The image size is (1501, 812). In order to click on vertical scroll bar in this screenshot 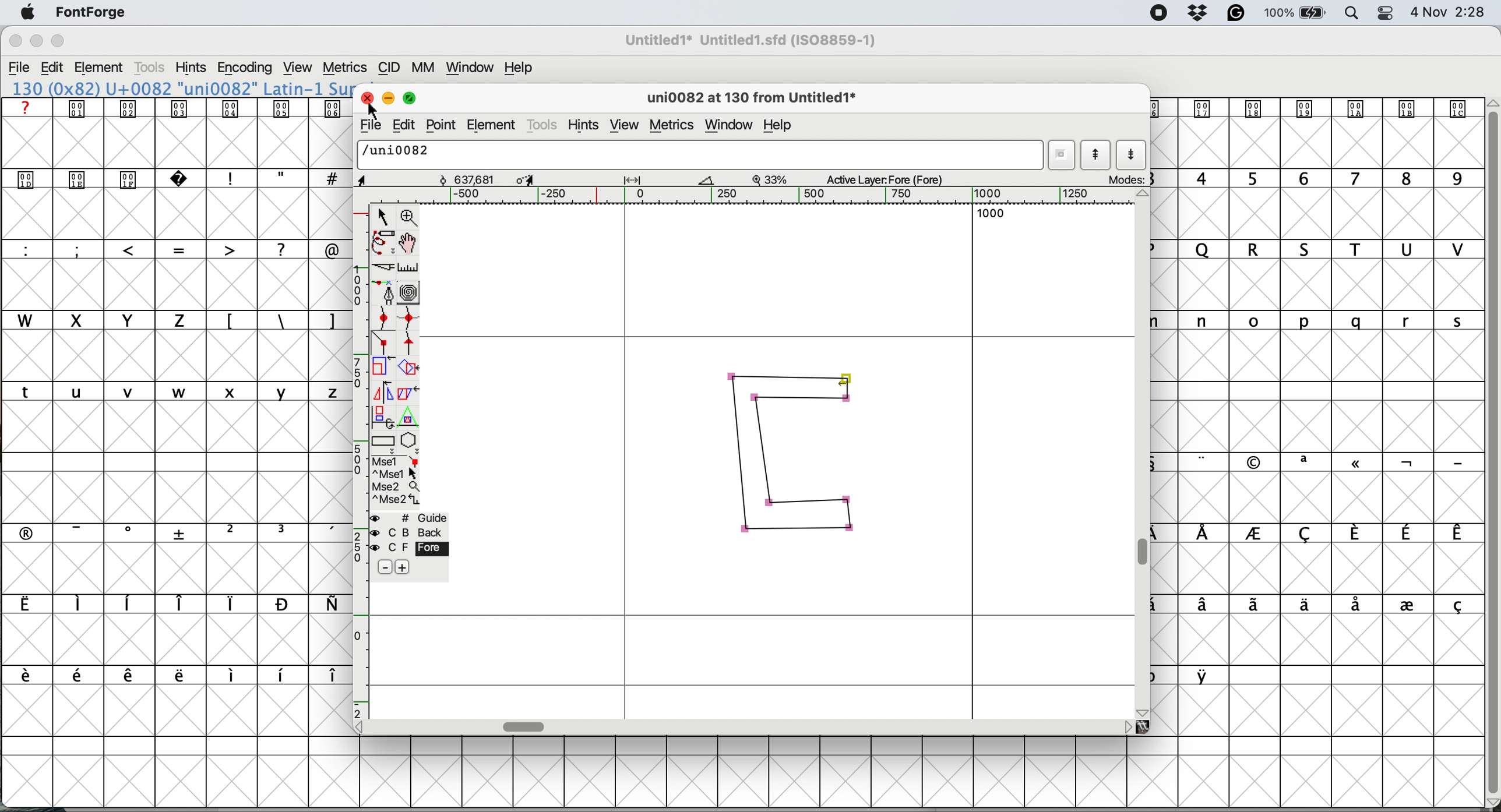, I will do `click(1146, 553)`.